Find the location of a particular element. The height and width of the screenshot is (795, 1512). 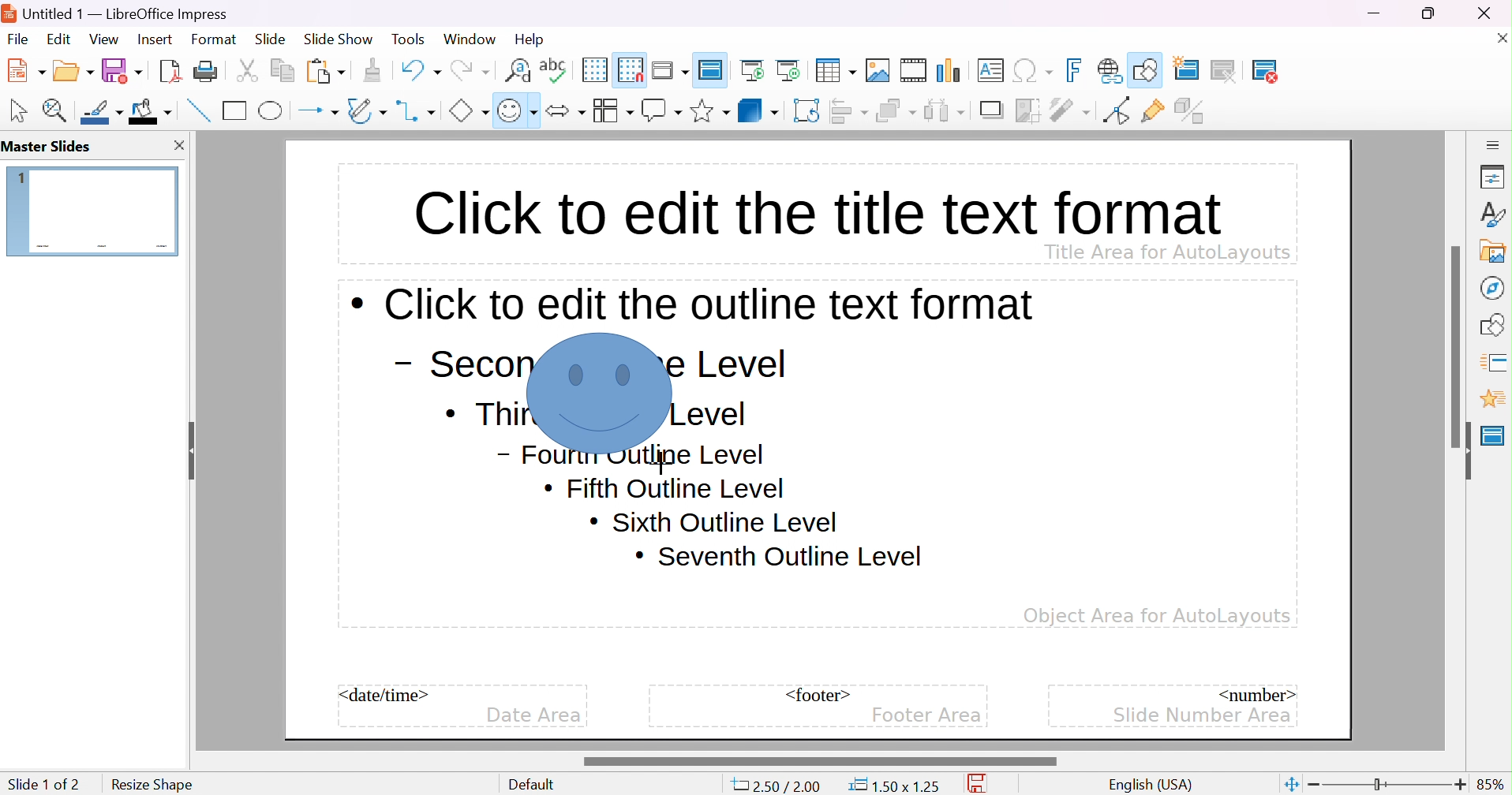

slider is located at coordinates (1458, 345).